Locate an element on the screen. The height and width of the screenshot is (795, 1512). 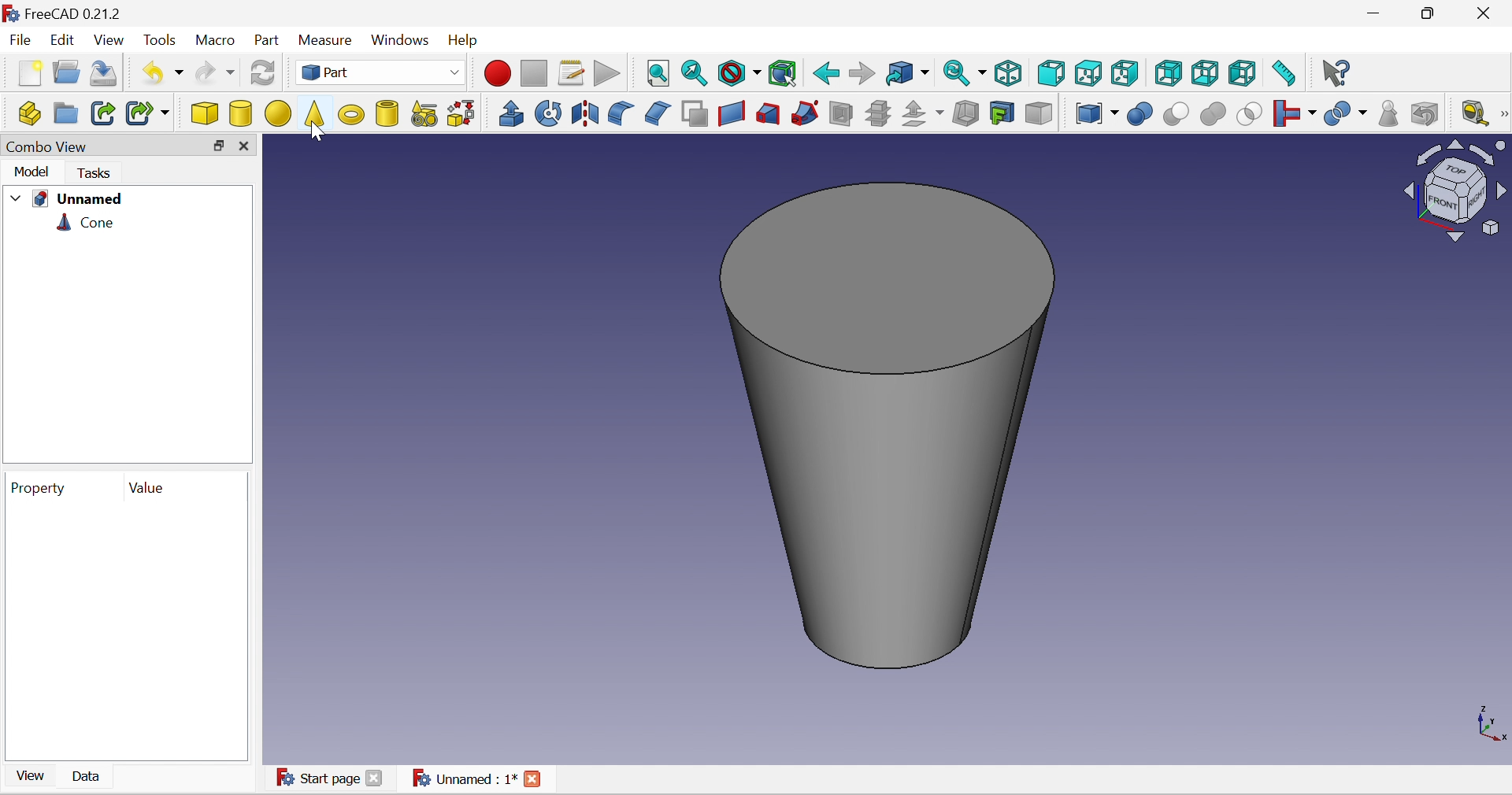
Sub-sections is located at coordinates (877, 114).